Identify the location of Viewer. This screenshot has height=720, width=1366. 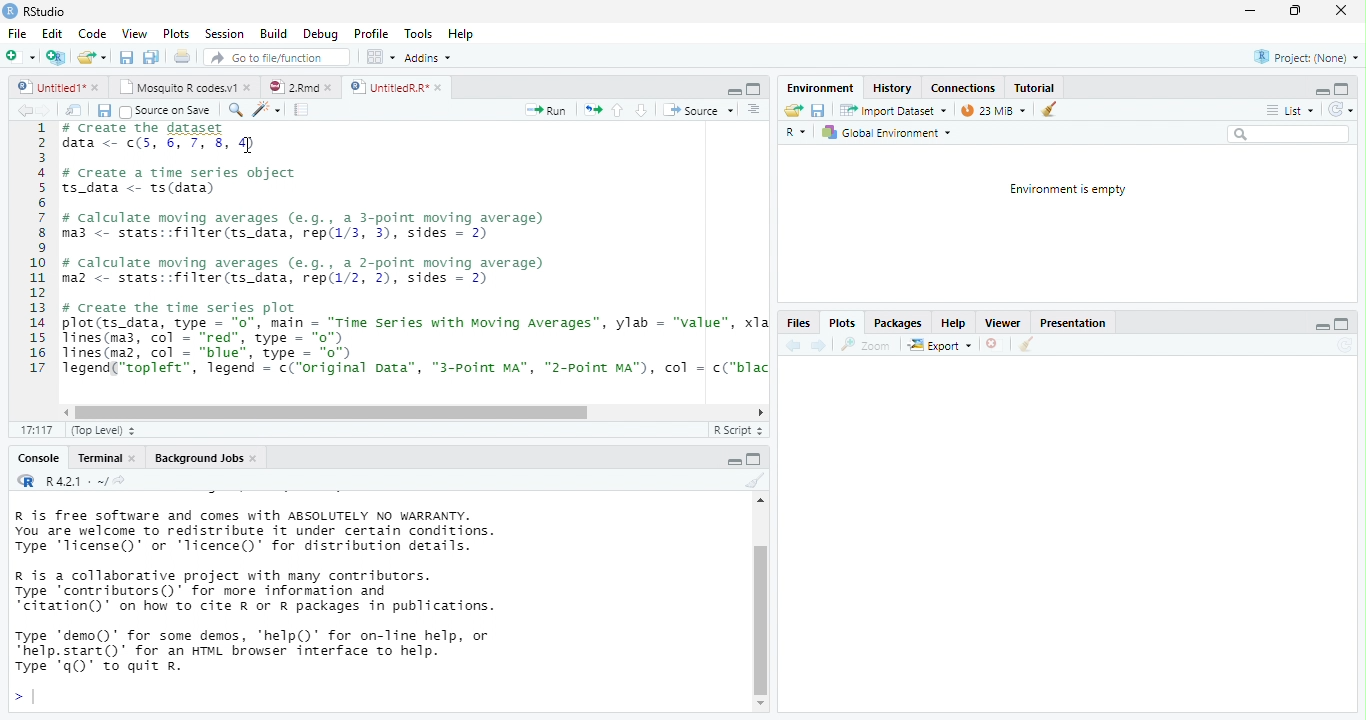
(1002, 323).